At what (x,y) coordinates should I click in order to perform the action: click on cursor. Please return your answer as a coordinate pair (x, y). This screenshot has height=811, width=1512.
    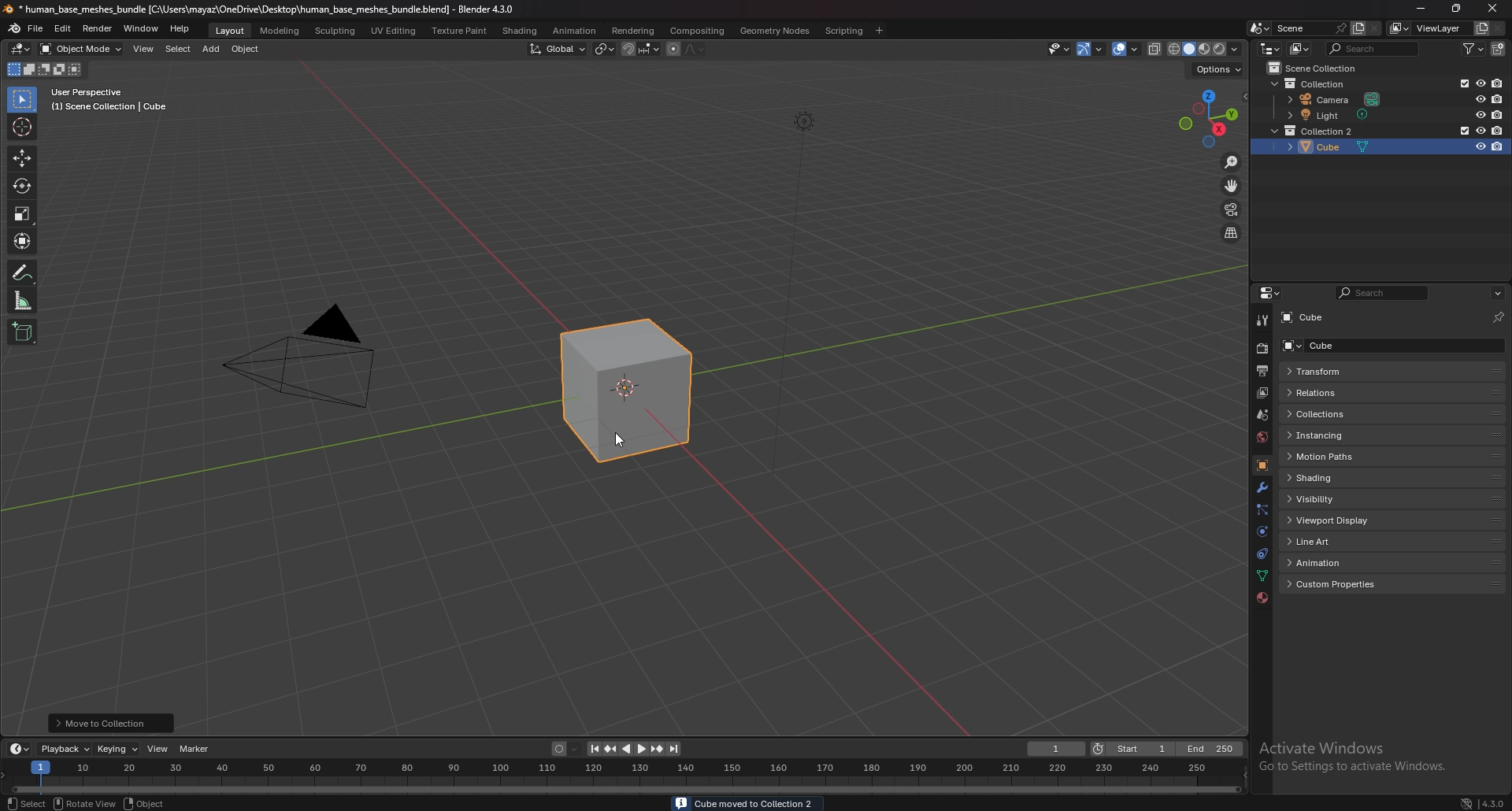
    Looking at the image, I should click on (22, 127).